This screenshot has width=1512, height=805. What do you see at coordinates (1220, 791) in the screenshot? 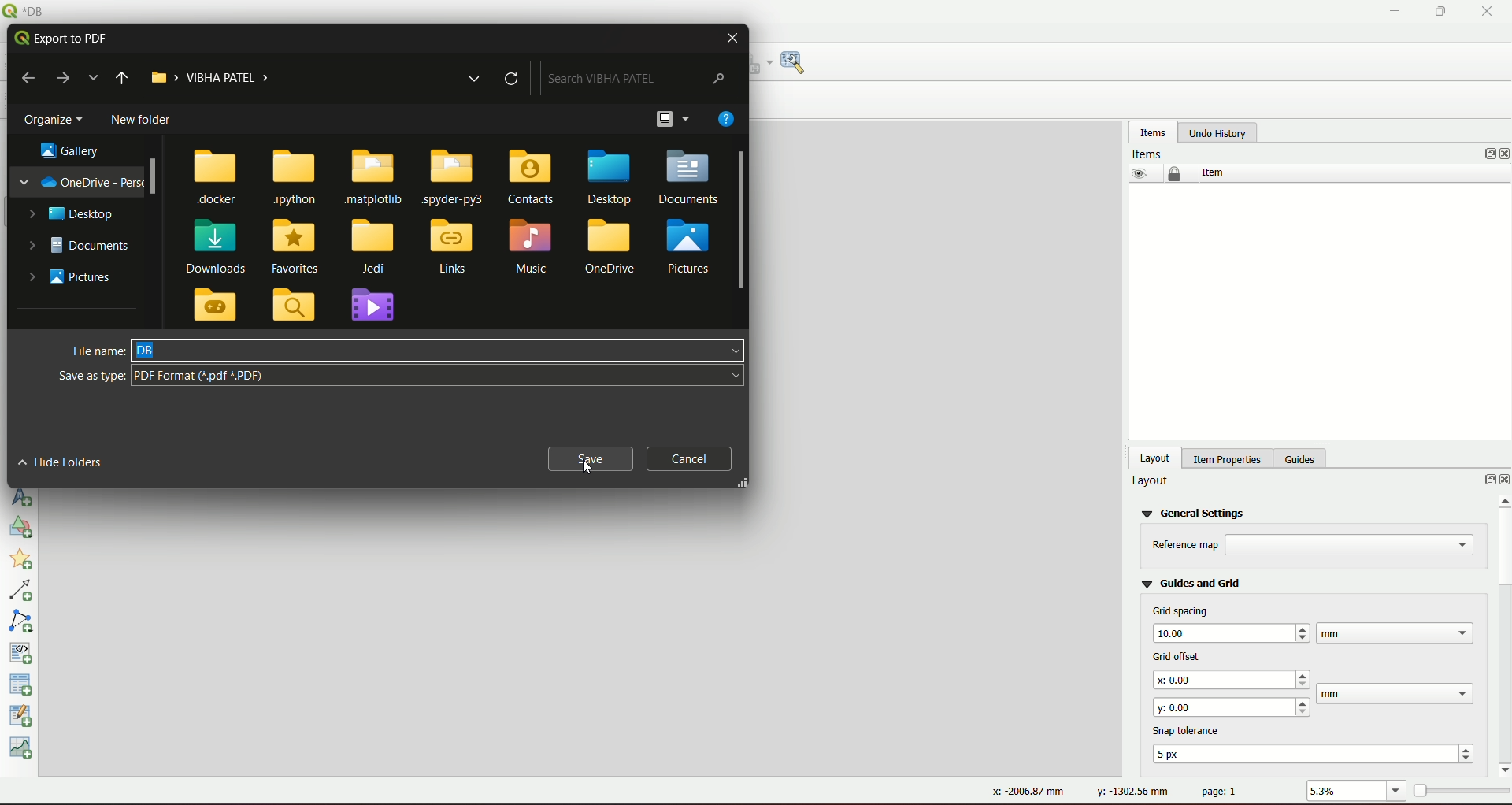
I see `page 1` at bounding box center [1220, 791].